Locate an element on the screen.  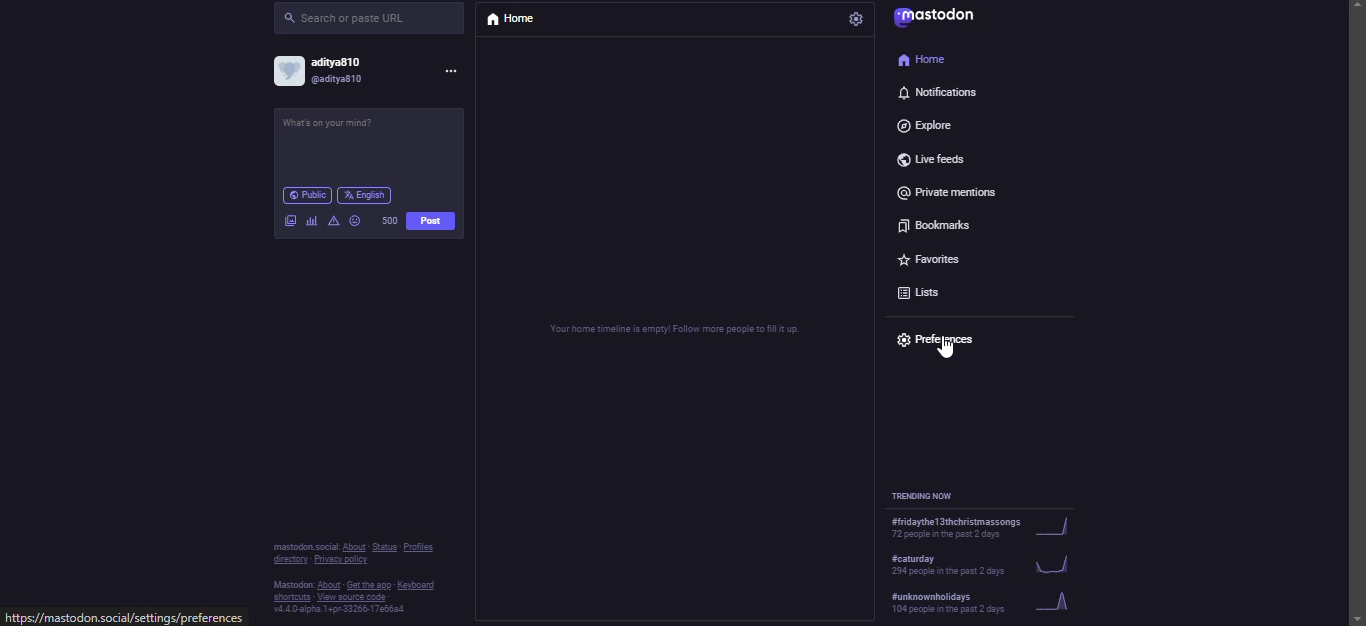
500 is located at coordinates (393, 218).